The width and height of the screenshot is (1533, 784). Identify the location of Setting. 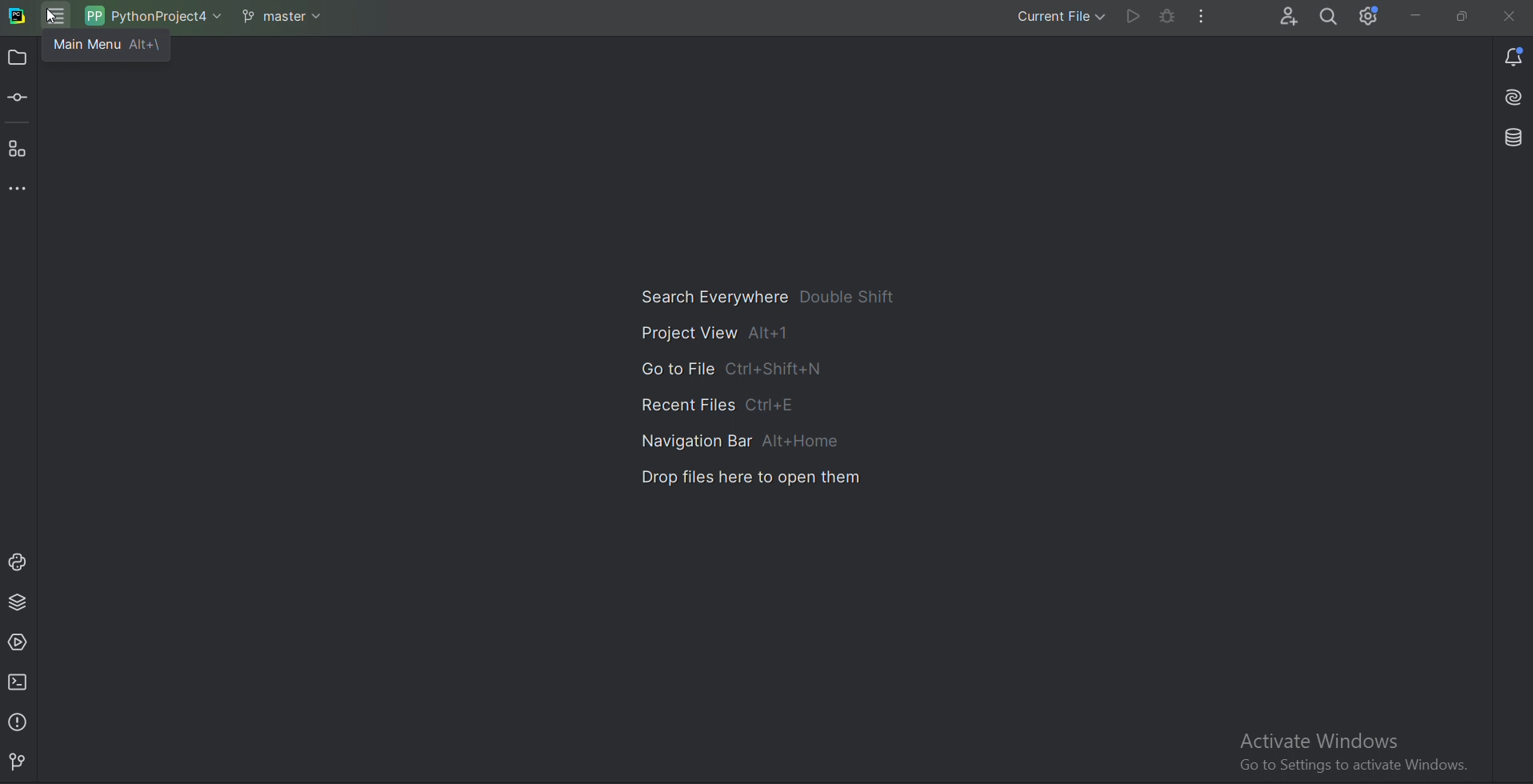
(1371, 15).